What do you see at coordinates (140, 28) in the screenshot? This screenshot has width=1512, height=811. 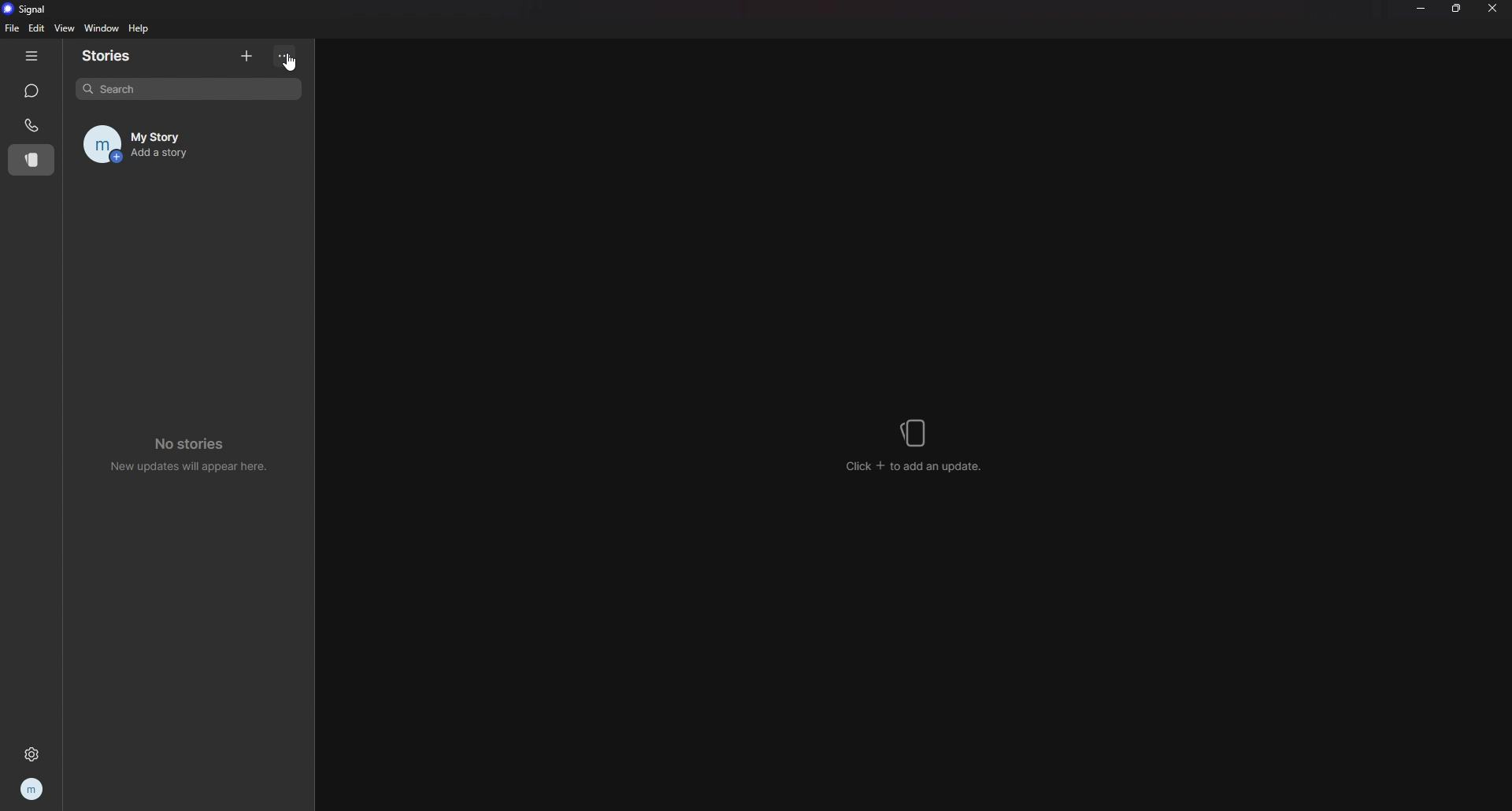 I see `help` at bounding box center [140, 28].